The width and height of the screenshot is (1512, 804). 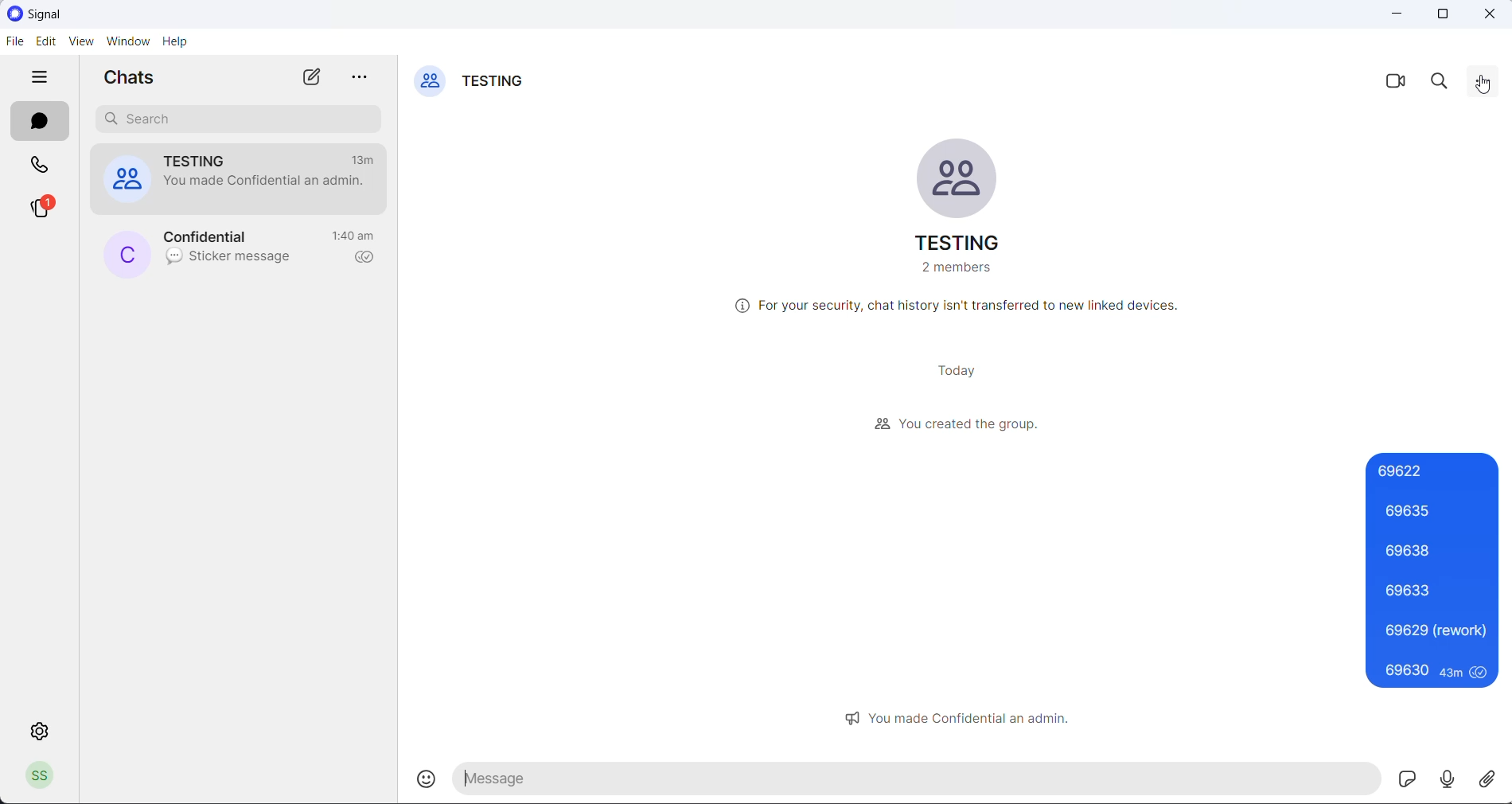 I want to click on chats heading, so click(x=134, y=80).